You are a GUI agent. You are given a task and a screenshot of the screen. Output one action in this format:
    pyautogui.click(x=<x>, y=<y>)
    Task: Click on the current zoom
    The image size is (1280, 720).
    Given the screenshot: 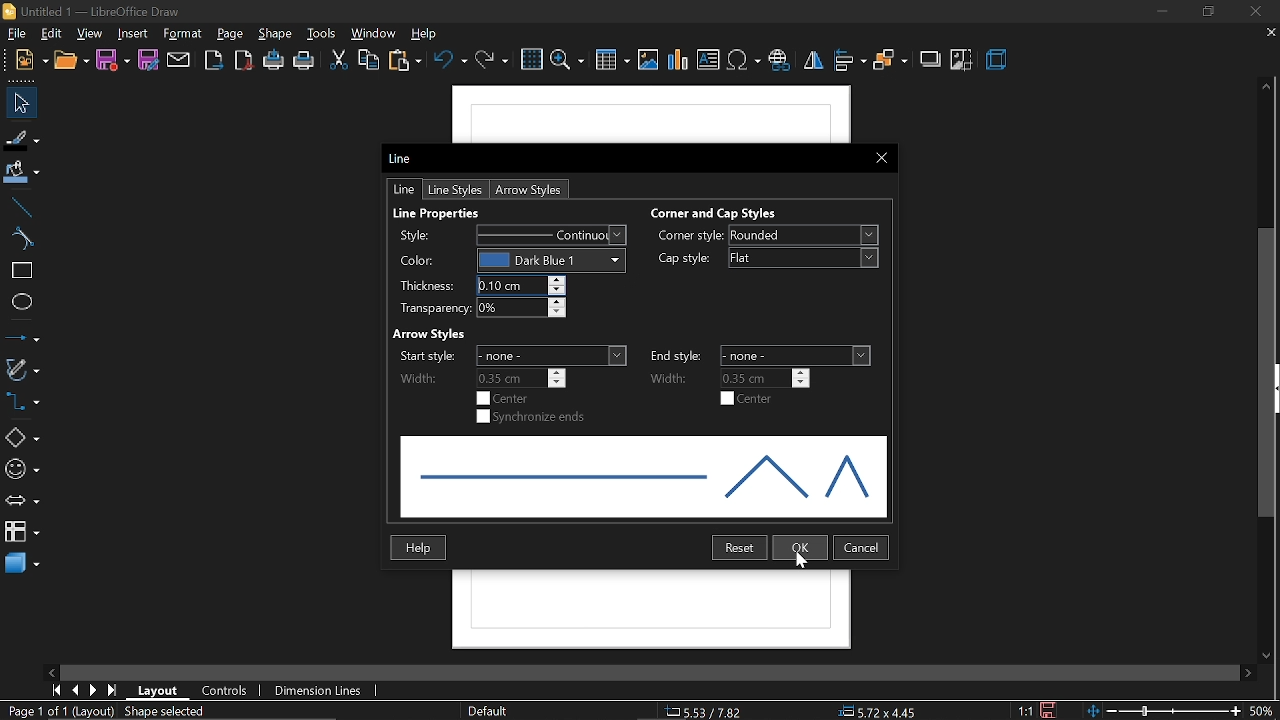 What is the action you would take?
    pyautogui.click(x=1262, y=712)
    